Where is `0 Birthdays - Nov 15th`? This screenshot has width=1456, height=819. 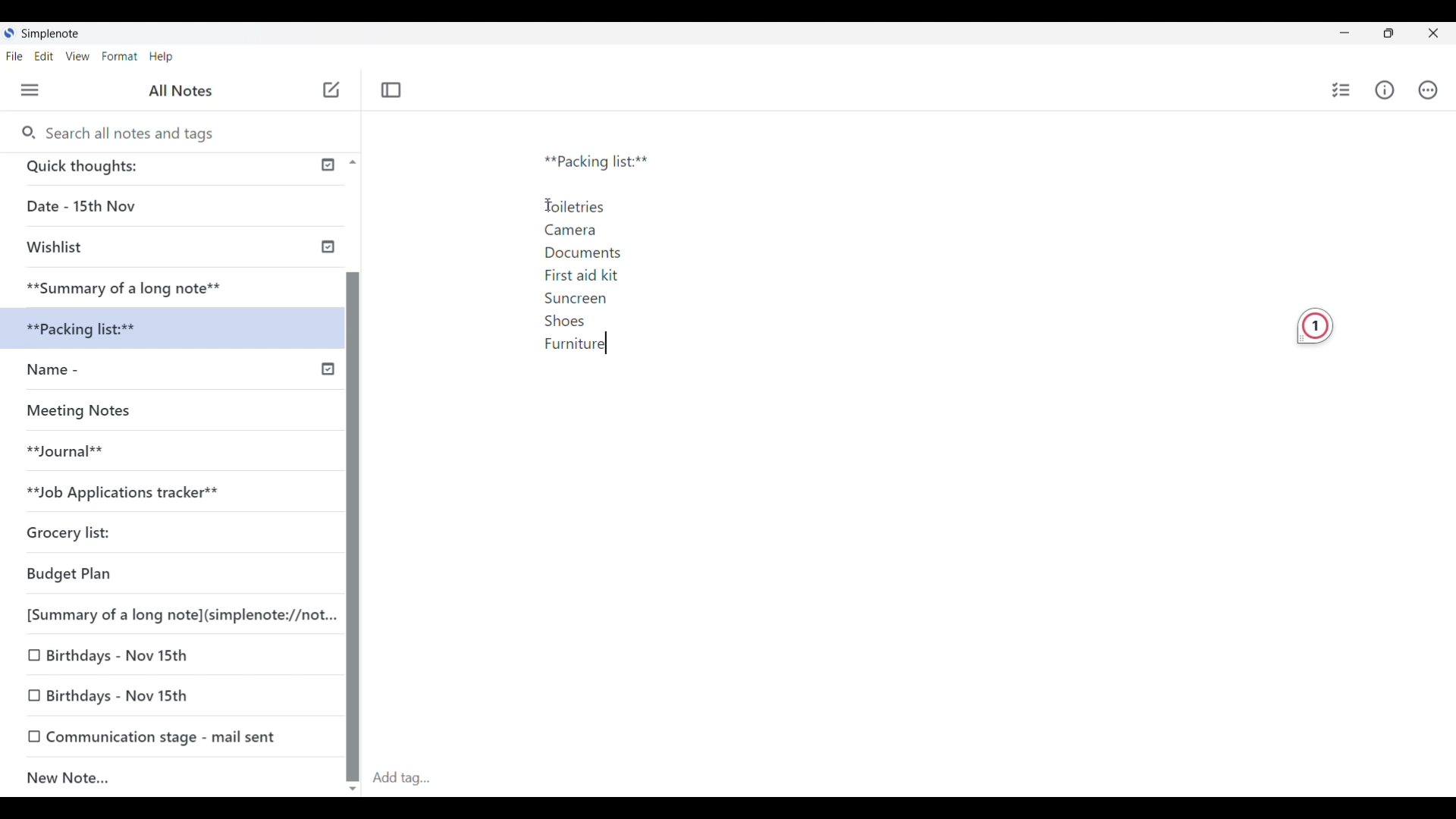 0 Birthdays - Nov 15th is located at coordinates (123, 695).